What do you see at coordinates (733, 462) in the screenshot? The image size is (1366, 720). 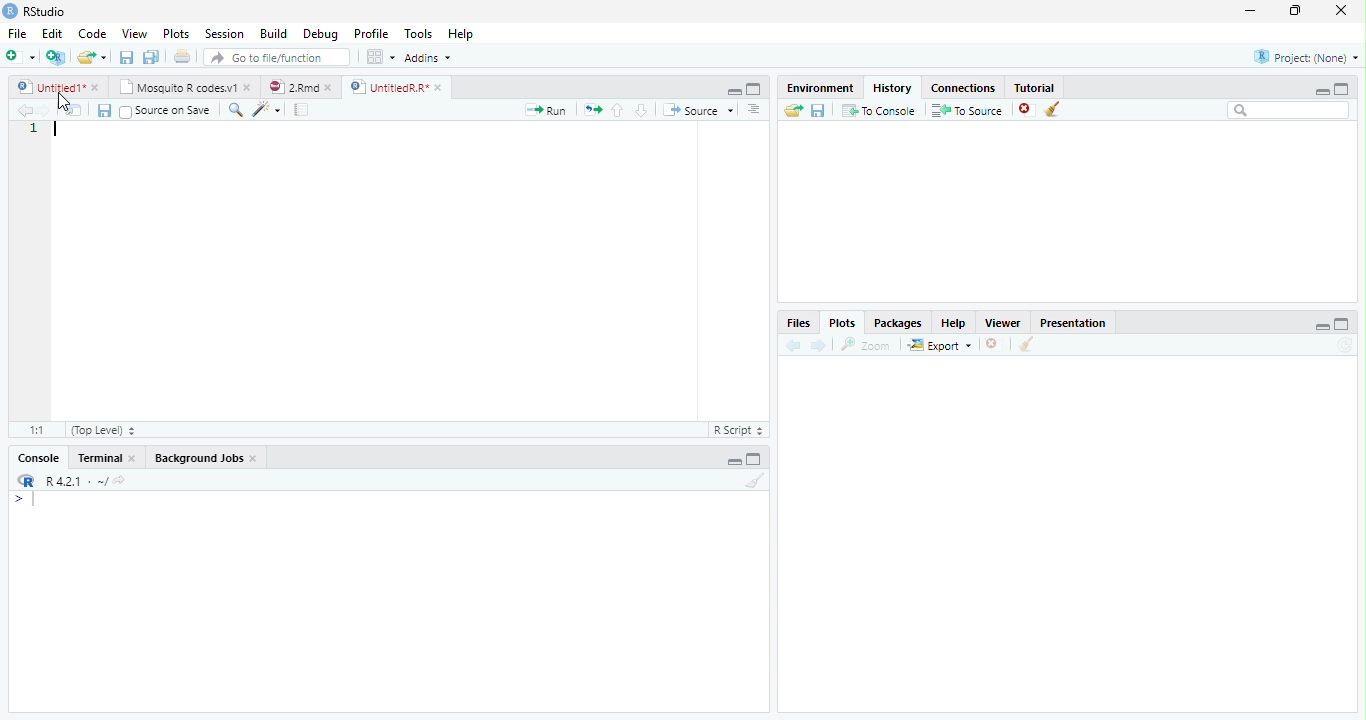 I see `Minimize` at bounding box center [733, 462].